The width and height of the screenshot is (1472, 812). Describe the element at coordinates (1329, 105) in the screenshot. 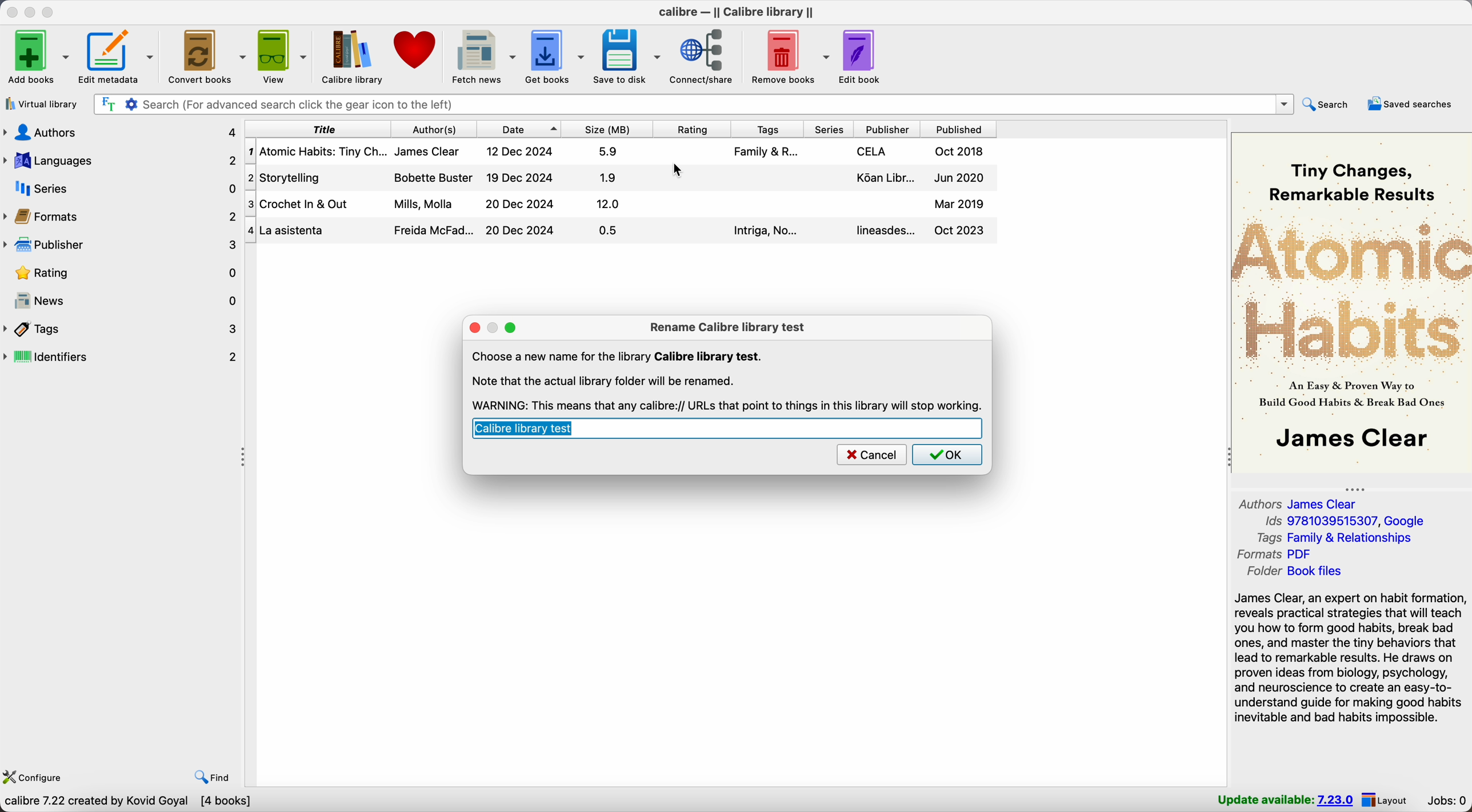

I see `search` at that location.